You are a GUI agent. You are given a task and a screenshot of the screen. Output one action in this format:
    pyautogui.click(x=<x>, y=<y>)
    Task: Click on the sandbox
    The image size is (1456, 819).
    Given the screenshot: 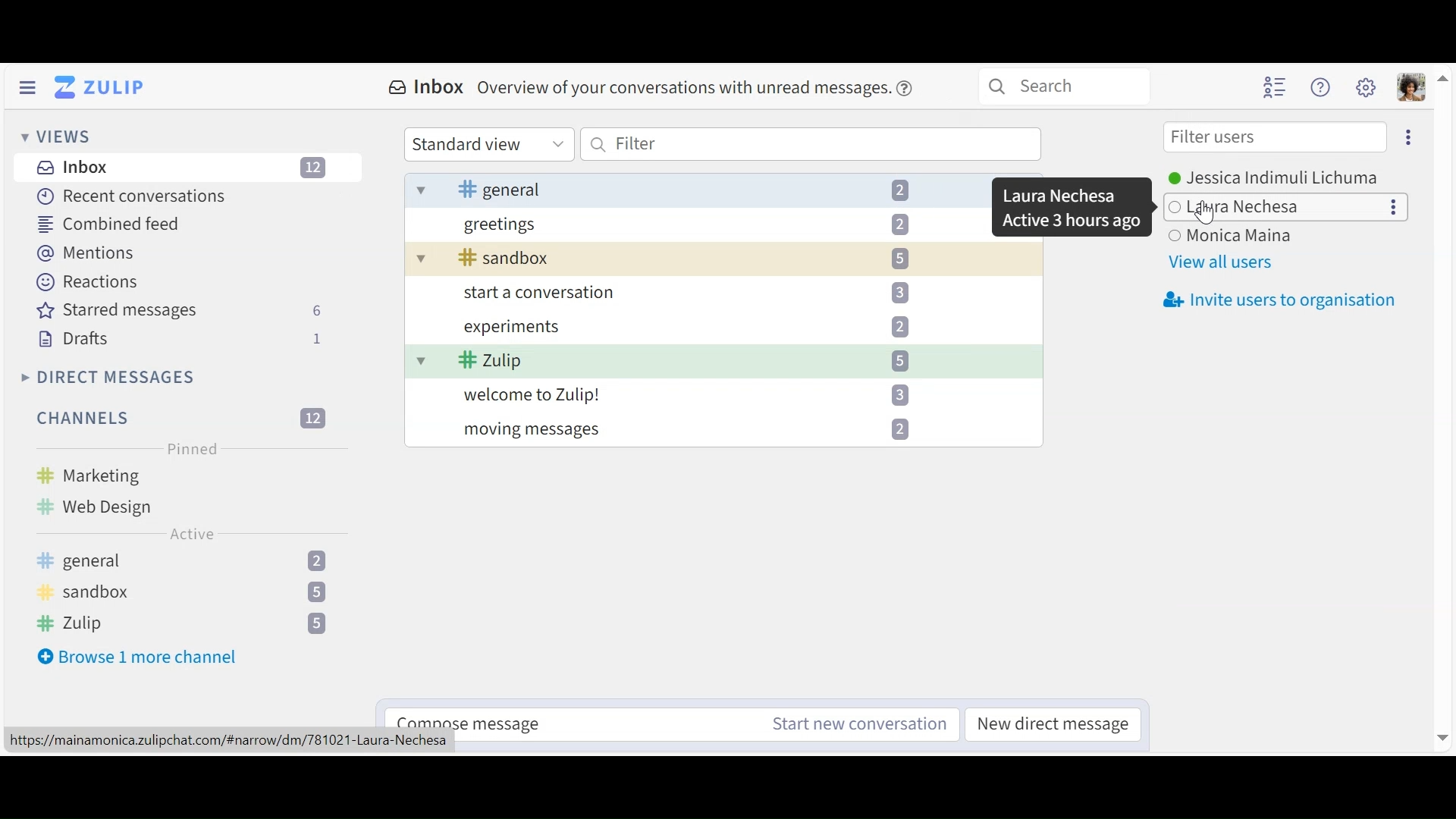 What is the action you would take?
    pyautogui.click(x=699, y=258)
    